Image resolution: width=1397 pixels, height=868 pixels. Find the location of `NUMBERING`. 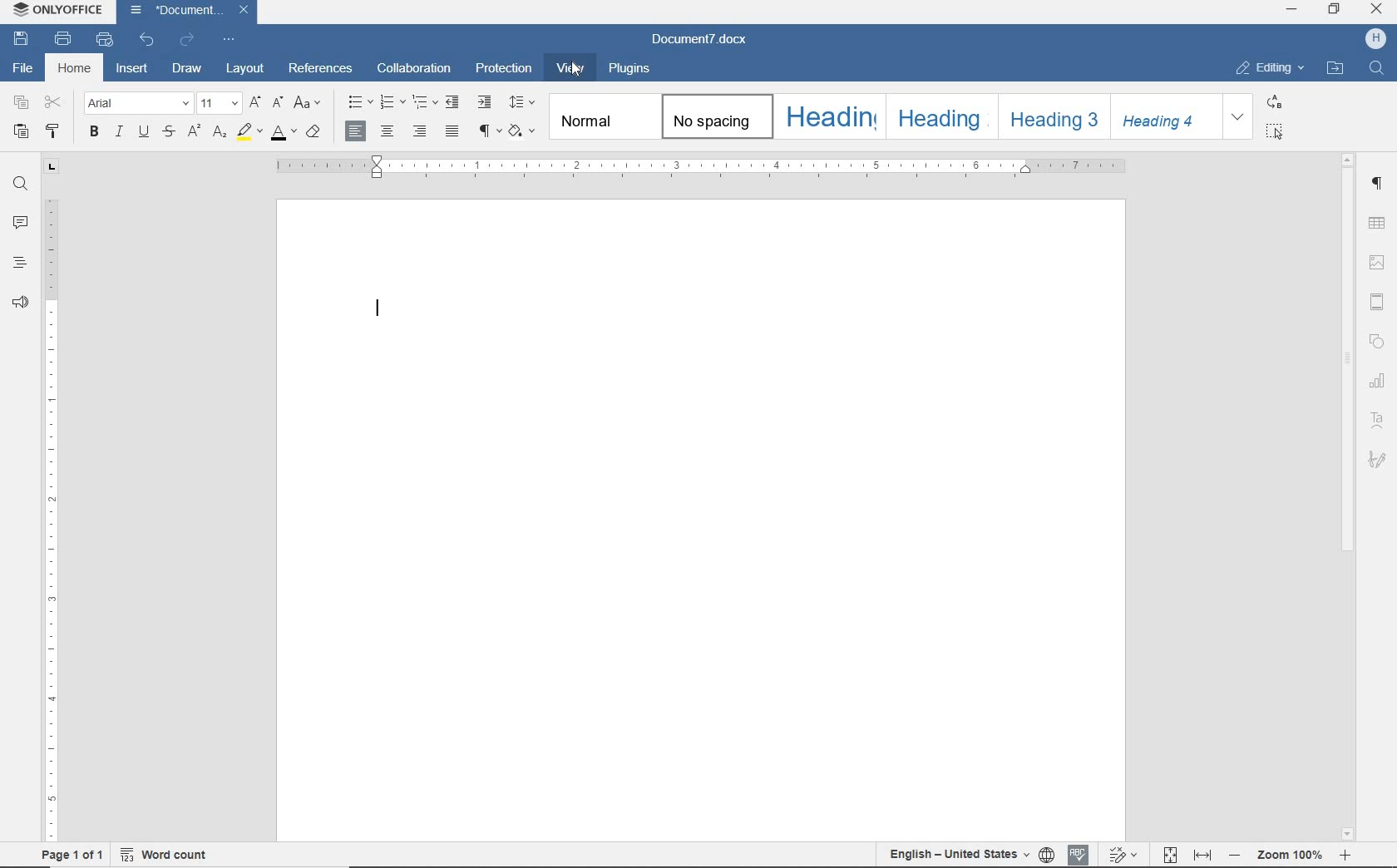

NUMBERING is located at coordinates (391, 104).